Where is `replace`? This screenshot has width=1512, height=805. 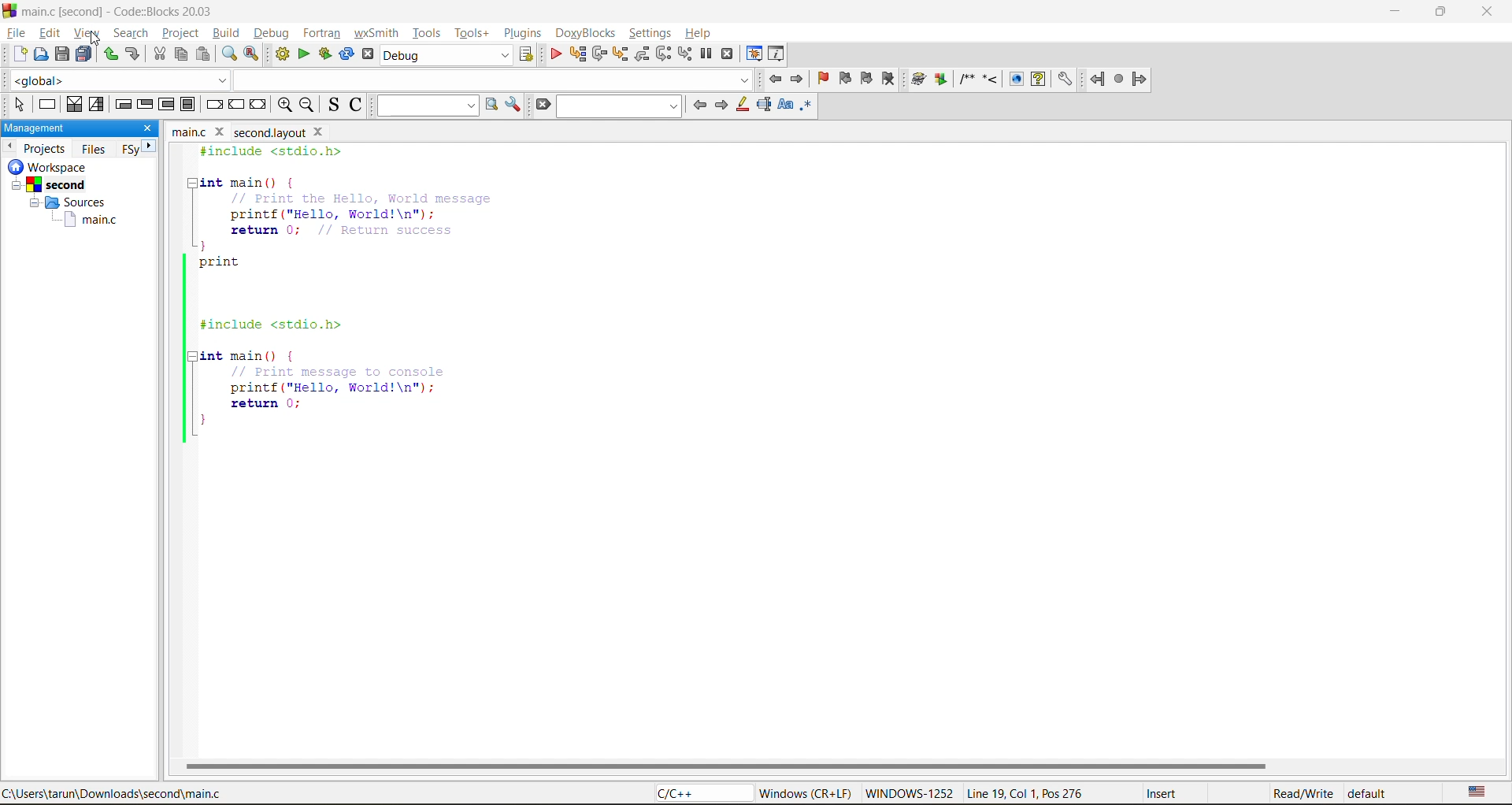 replace is located at coordinates (250, 54).